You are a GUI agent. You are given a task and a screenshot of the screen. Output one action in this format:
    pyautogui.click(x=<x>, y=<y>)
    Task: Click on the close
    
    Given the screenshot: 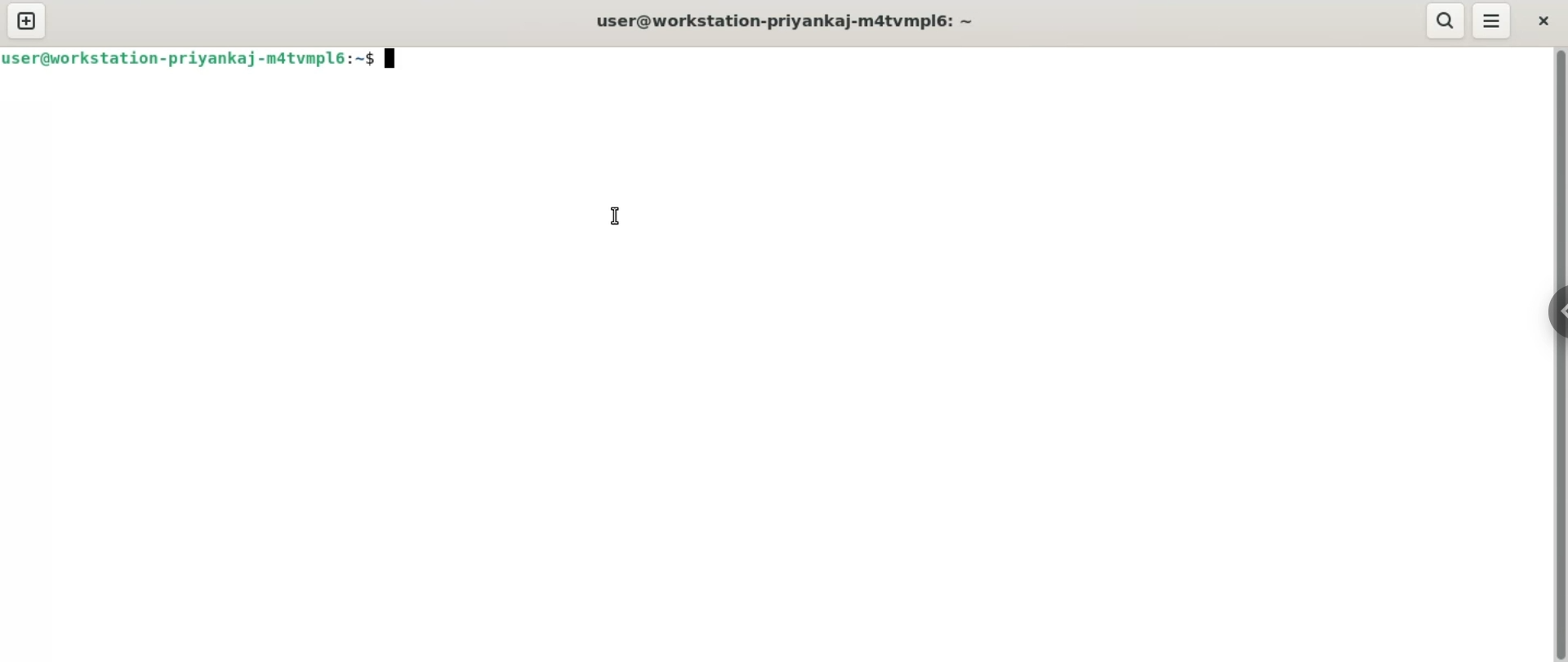 What is the action you would take?
    pyautogui.click(x=1543, y=21)
    